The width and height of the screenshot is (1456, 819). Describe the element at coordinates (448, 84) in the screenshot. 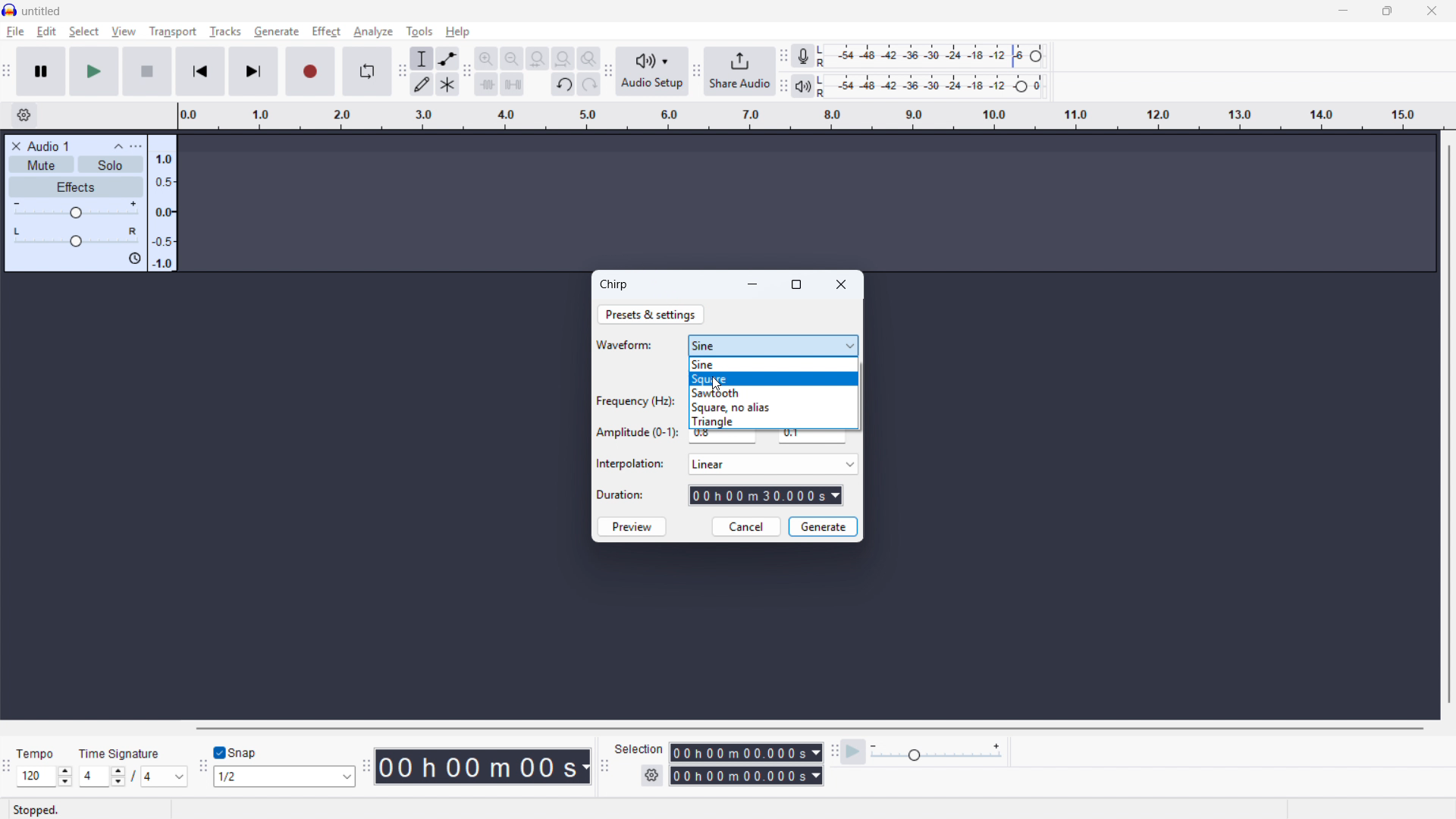

I see `Multi - tool` at that location.